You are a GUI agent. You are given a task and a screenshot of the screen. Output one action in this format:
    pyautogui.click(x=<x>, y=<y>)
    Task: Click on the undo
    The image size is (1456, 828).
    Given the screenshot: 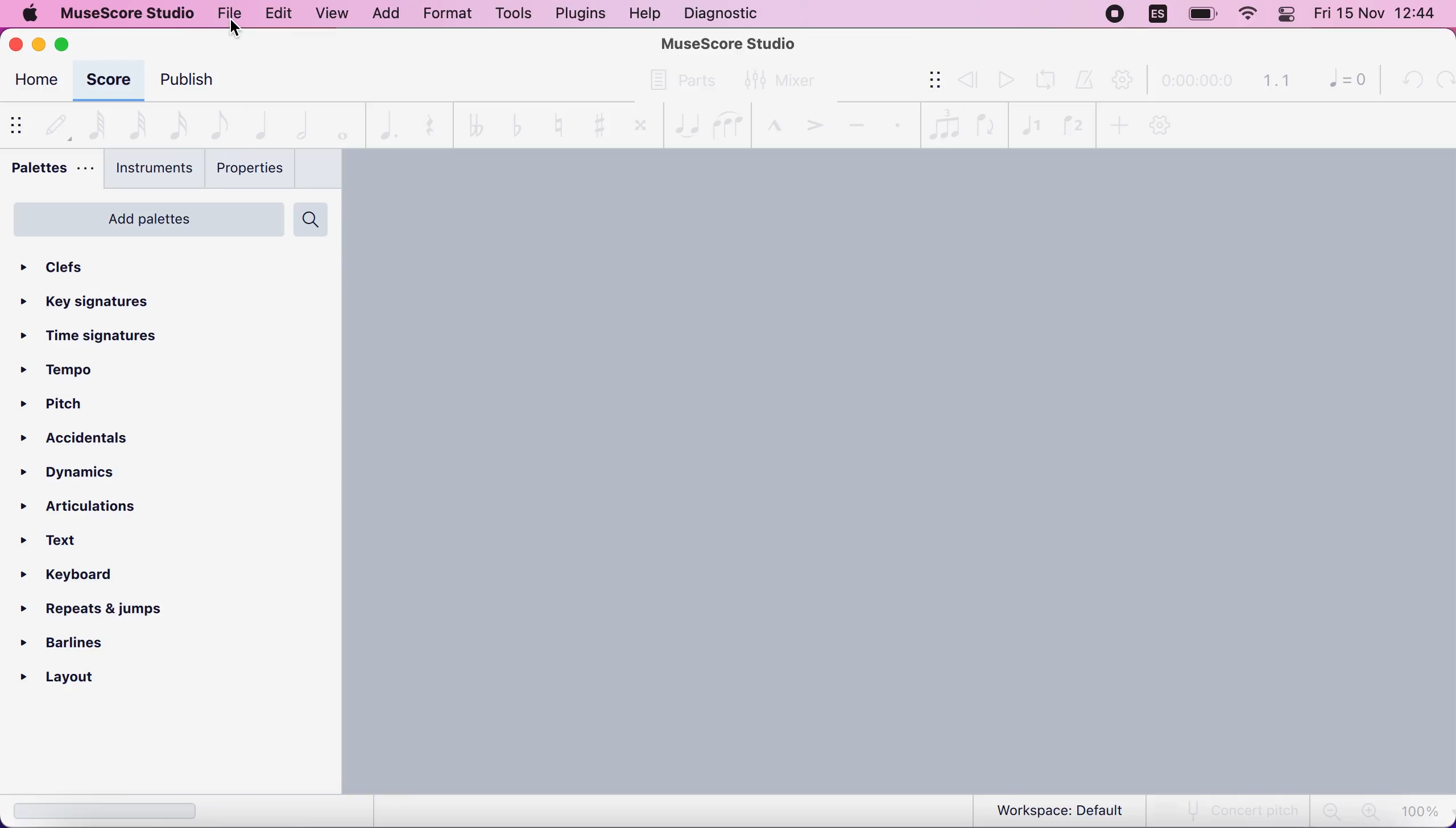 What is the action you would take?
    pyautogui.click(x=1409, y=80)
    